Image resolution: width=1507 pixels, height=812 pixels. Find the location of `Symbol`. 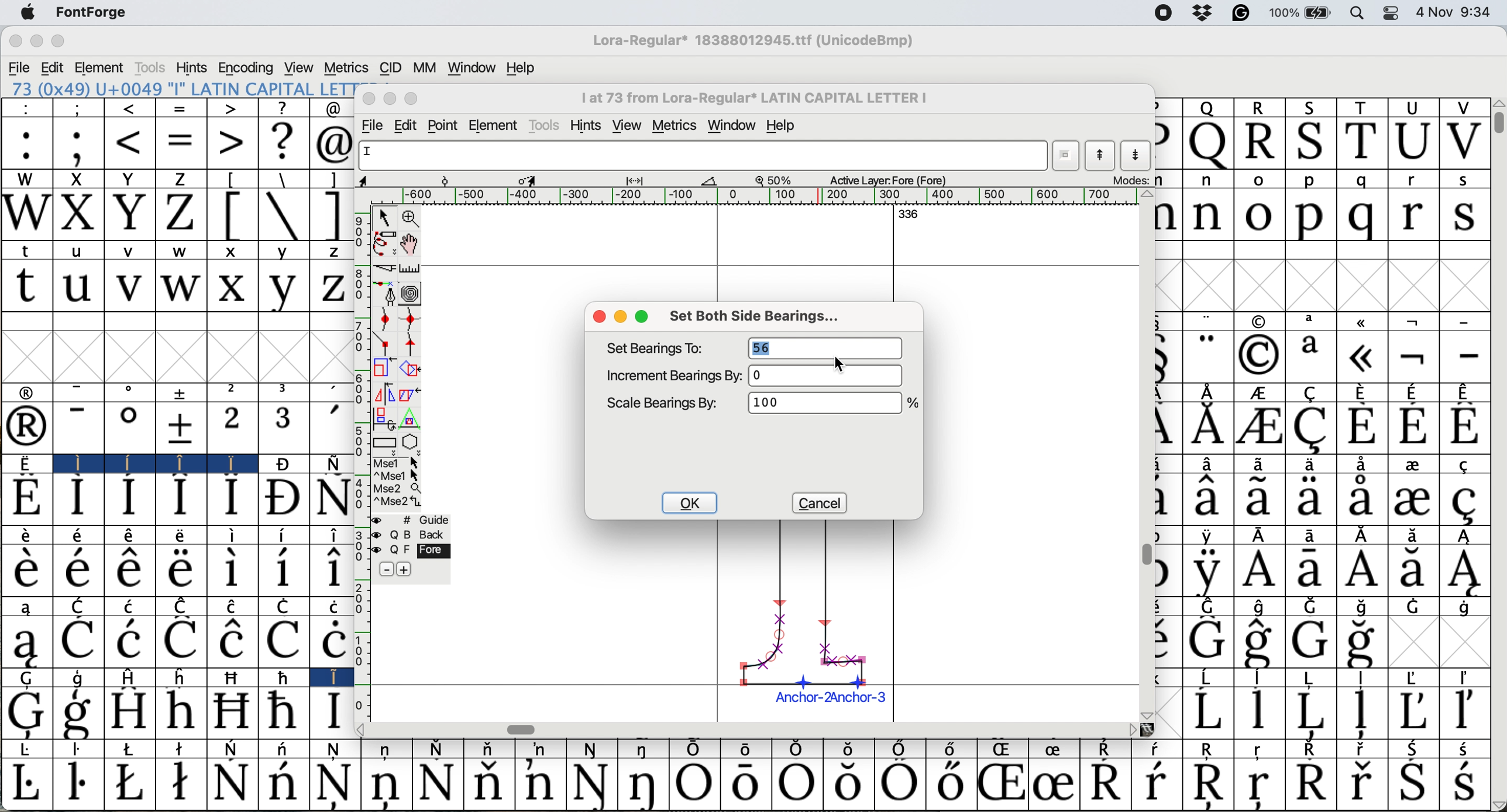

Symbol is located at coordinates (1465, 712).